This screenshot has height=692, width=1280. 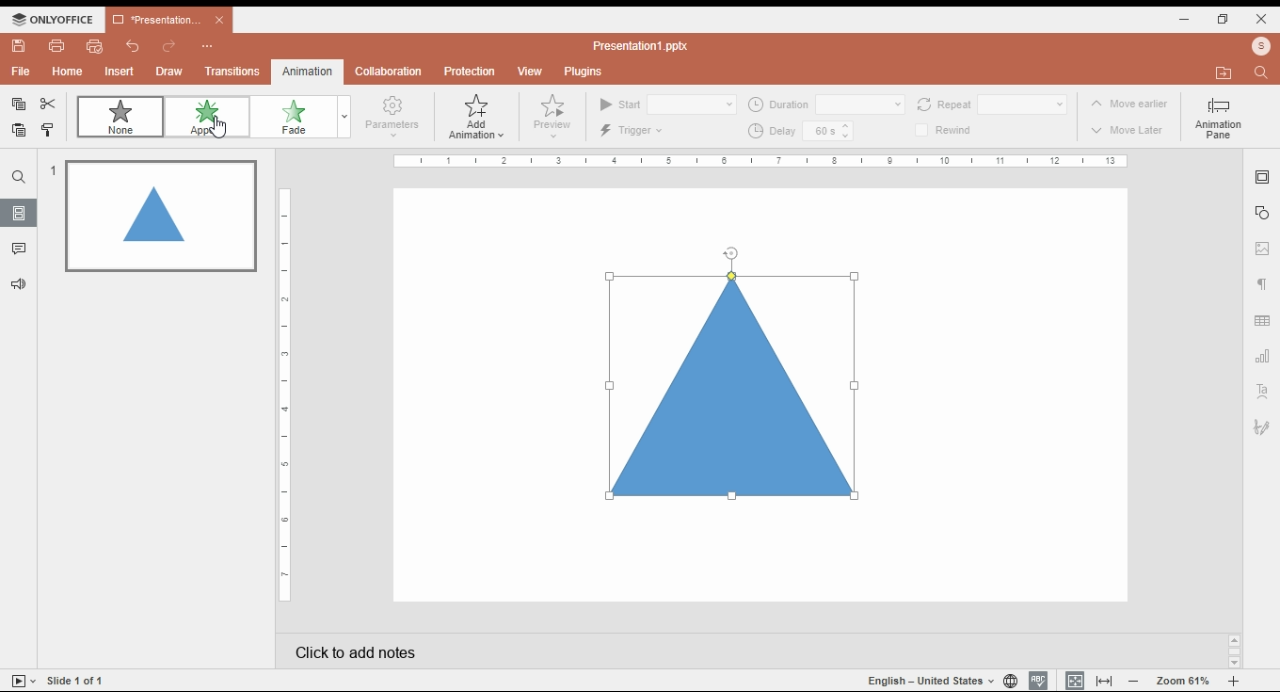 I want to click on zoom in/zoom out, so click(x=1185, y=681).